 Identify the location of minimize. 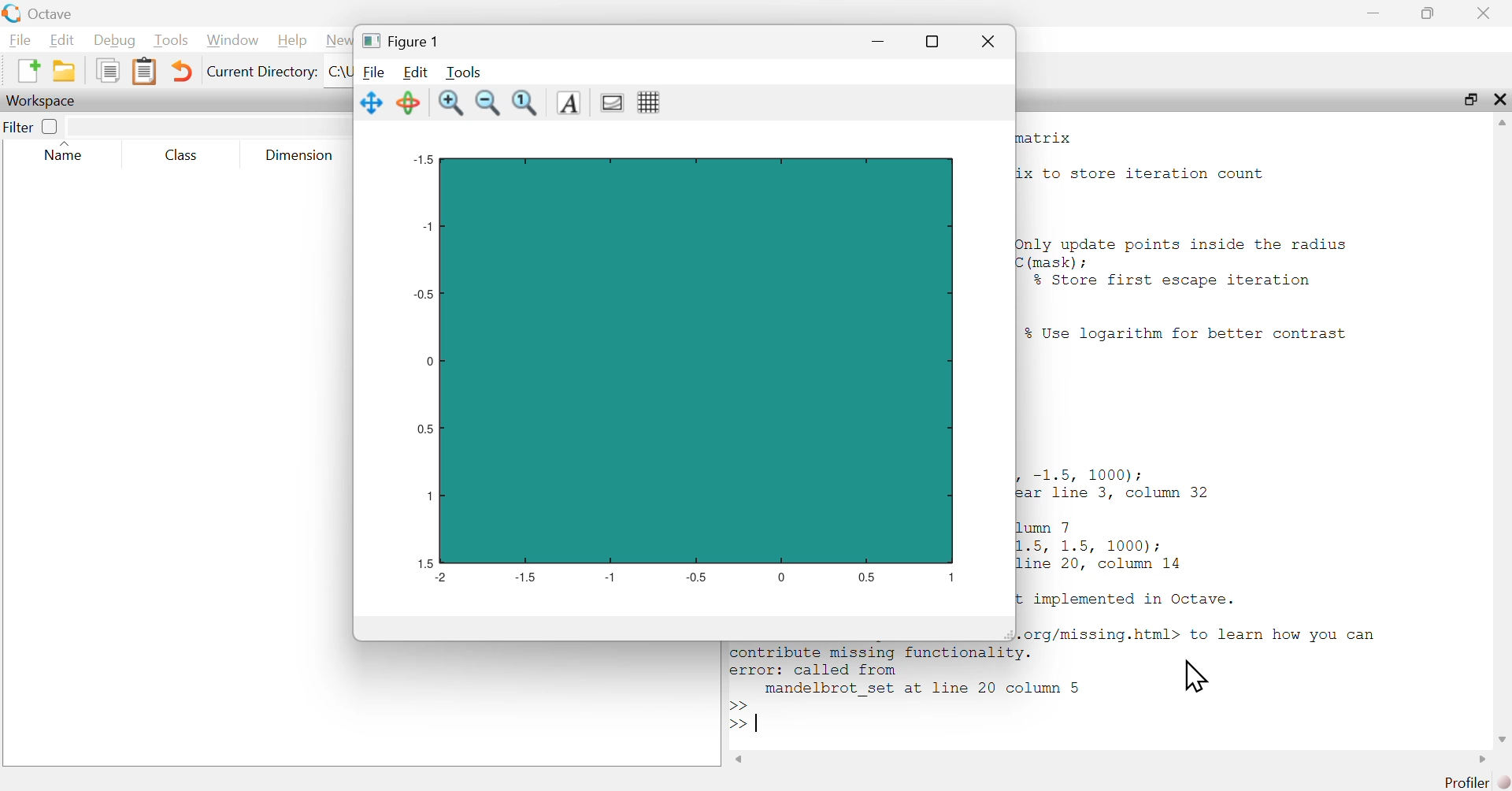
(877, 43).